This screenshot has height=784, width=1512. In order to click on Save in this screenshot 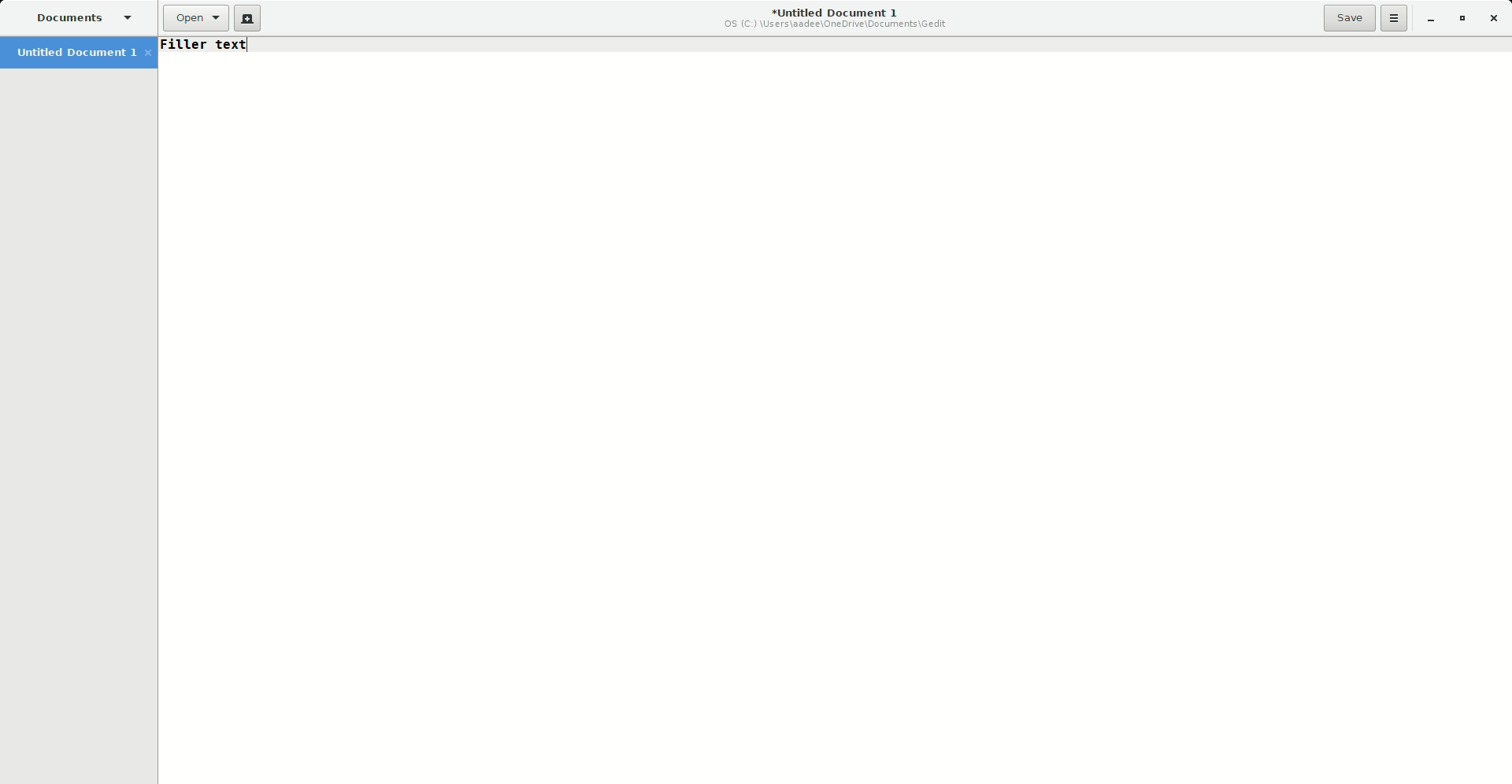, I will do `click(1350, 17)`.